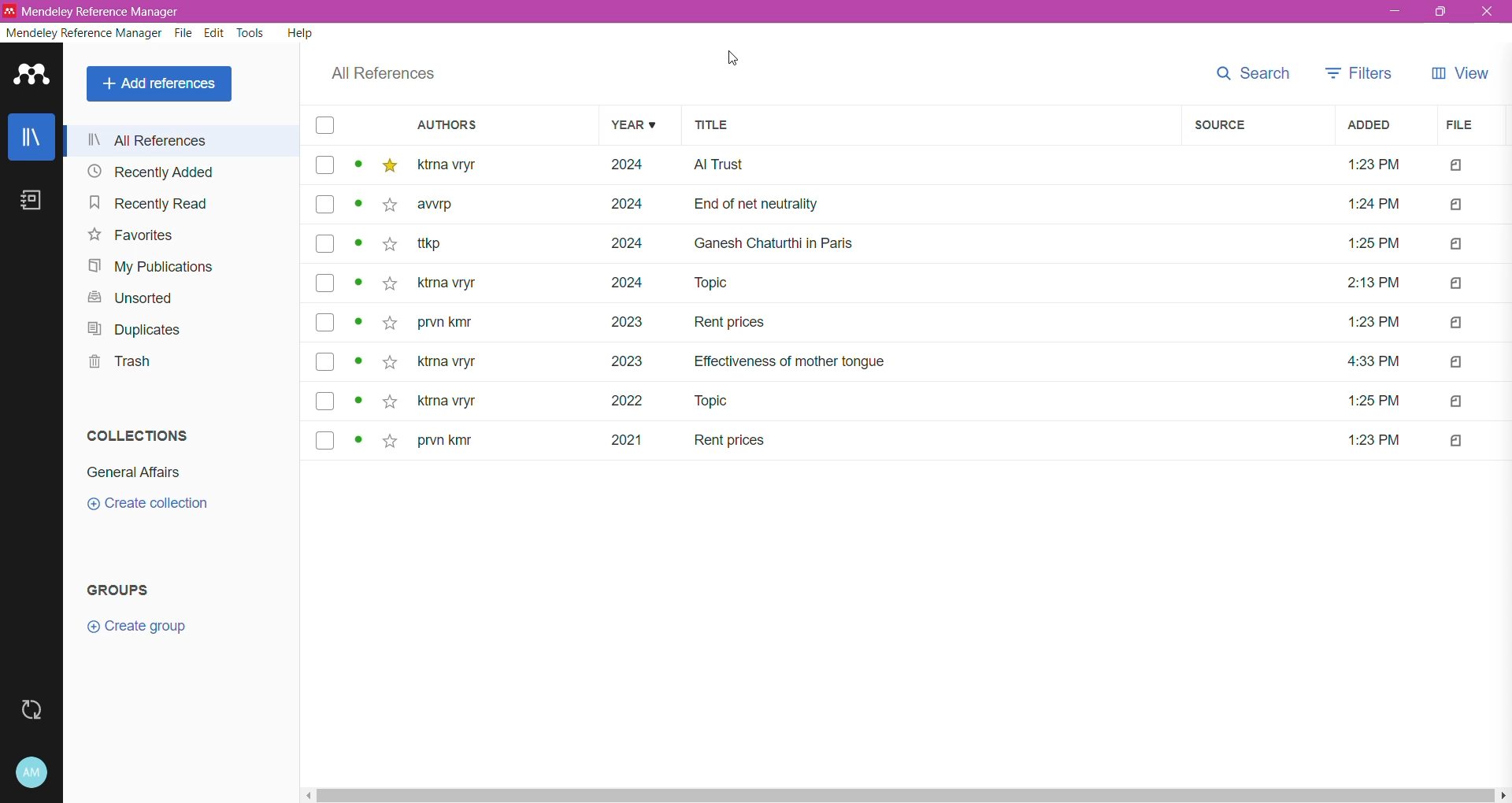 The width and height of the screenshot is (1512, 803). What do you see at coordinates (732, 322) in the screenshot?
I see `rent prices` at bounding box center [732, 322].